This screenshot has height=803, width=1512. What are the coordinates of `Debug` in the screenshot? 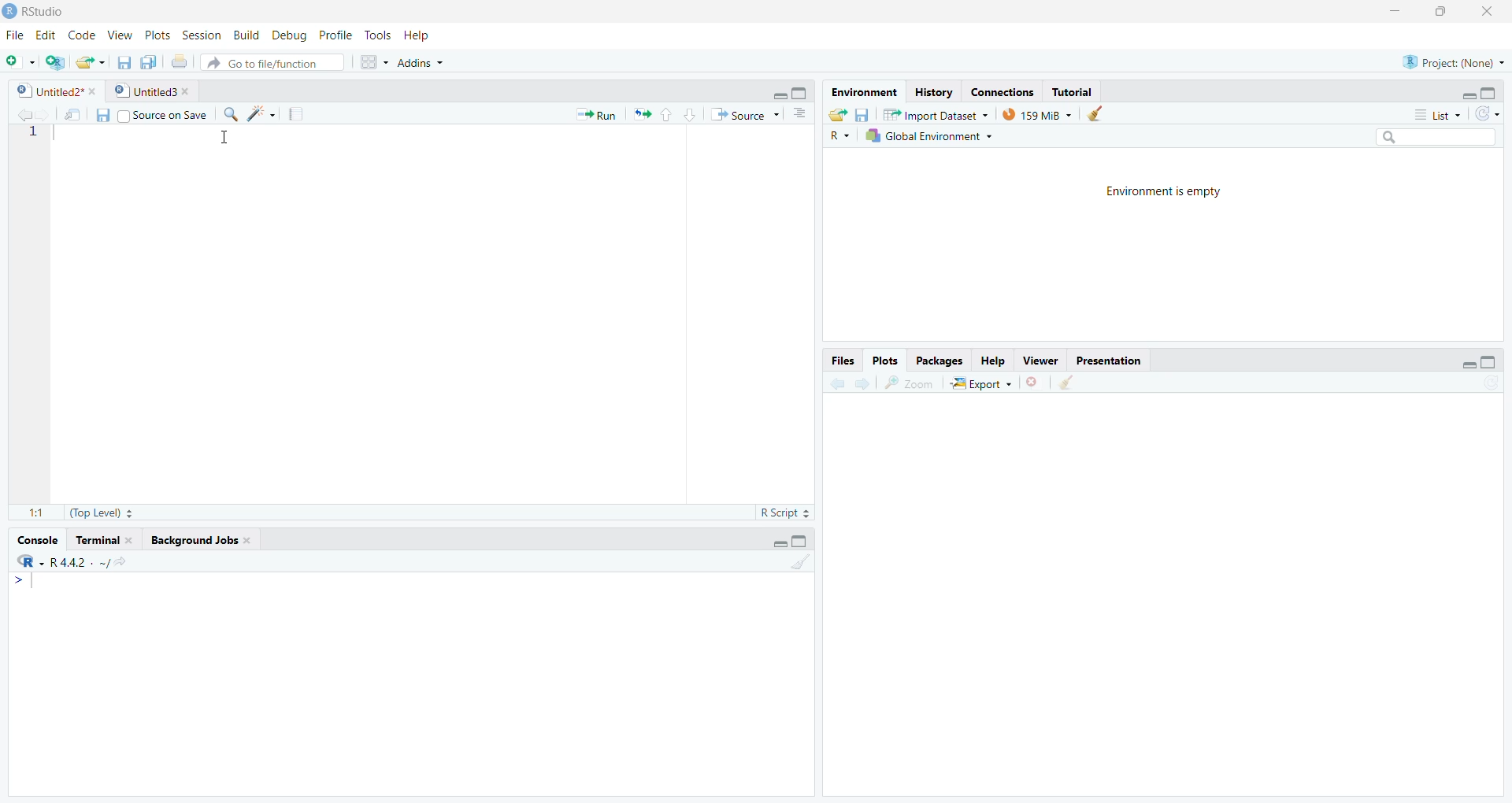 It's located at (288, 37).